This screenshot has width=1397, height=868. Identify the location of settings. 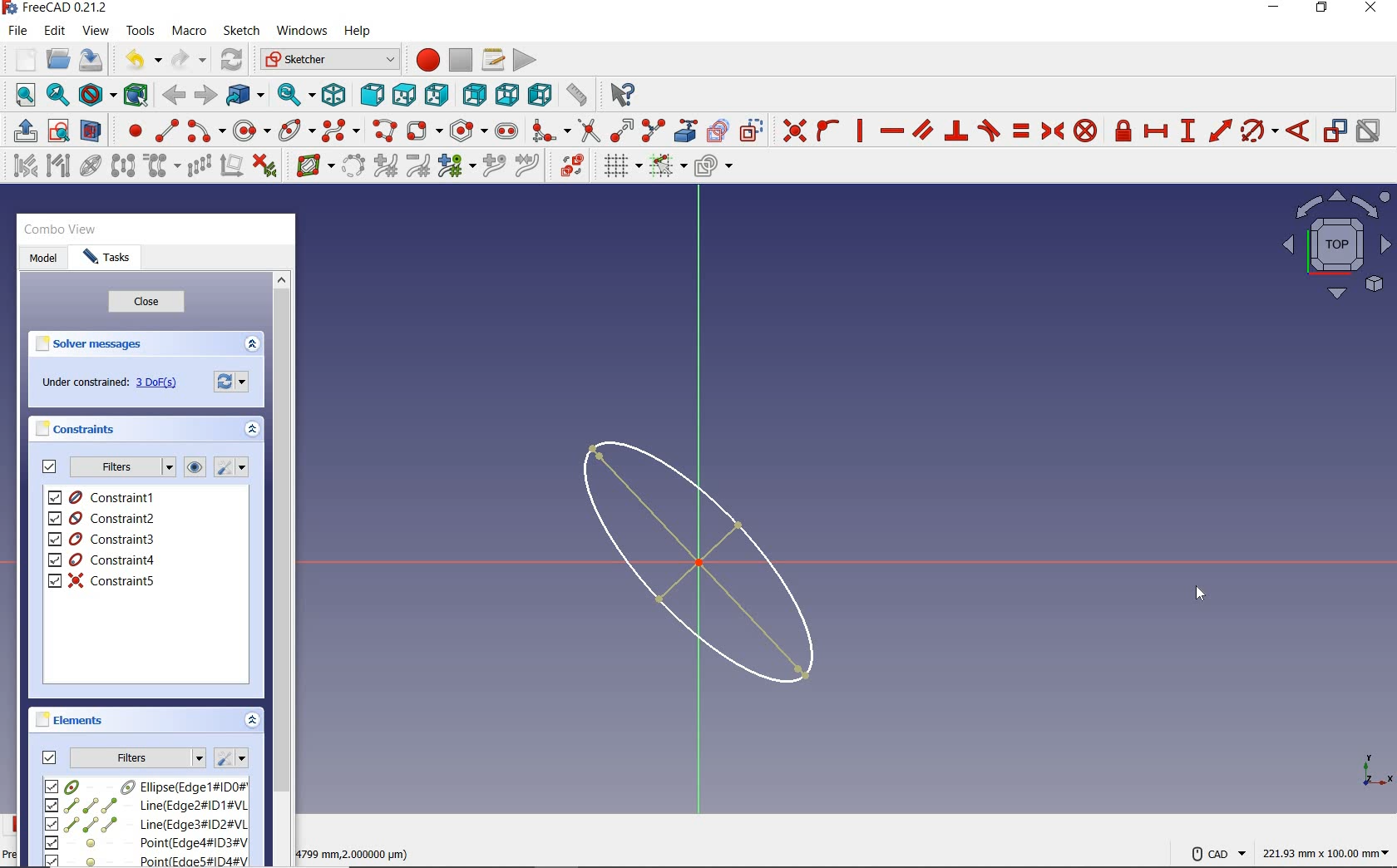
(234, 380).